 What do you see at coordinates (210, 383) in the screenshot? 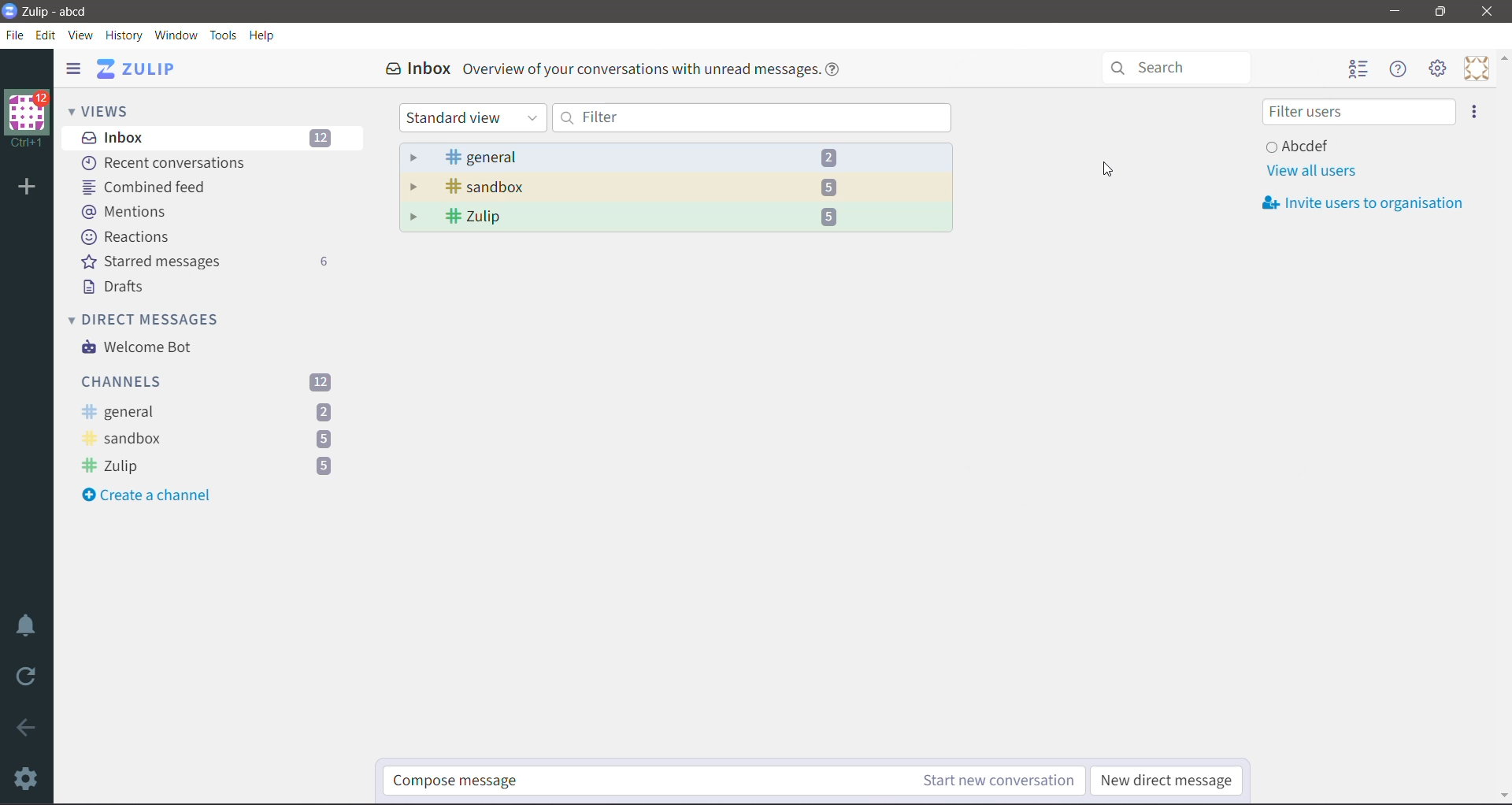
I see `Channels - Total unread messages count` at bounding box center [210, 383].